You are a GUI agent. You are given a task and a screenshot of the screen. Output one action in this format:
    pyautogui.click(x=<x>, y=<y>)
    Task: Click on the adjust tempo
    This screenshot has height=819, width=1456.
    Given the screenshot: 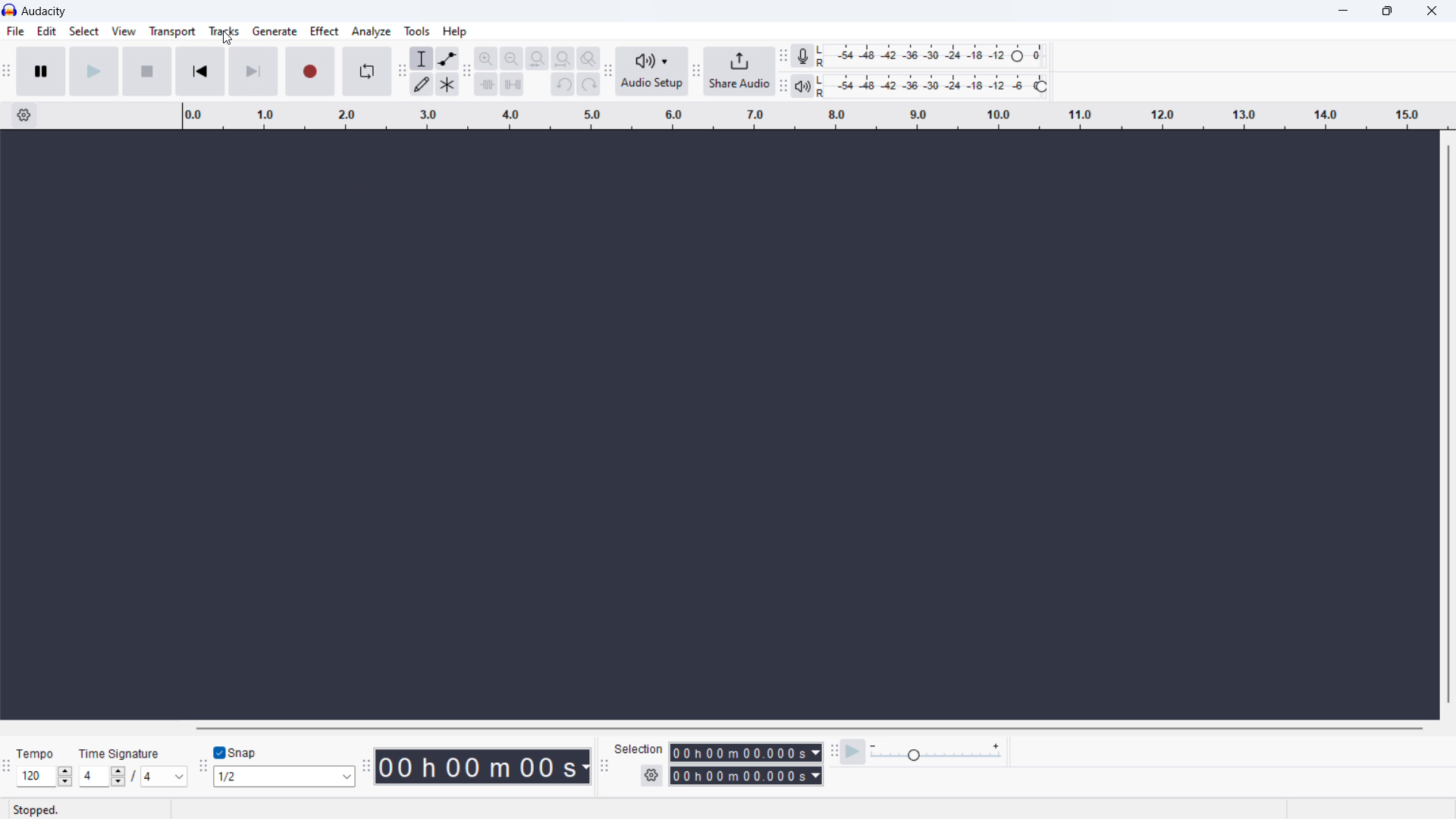 What is the action you would take?
    pyautogui.click(x=45, y=777)
    